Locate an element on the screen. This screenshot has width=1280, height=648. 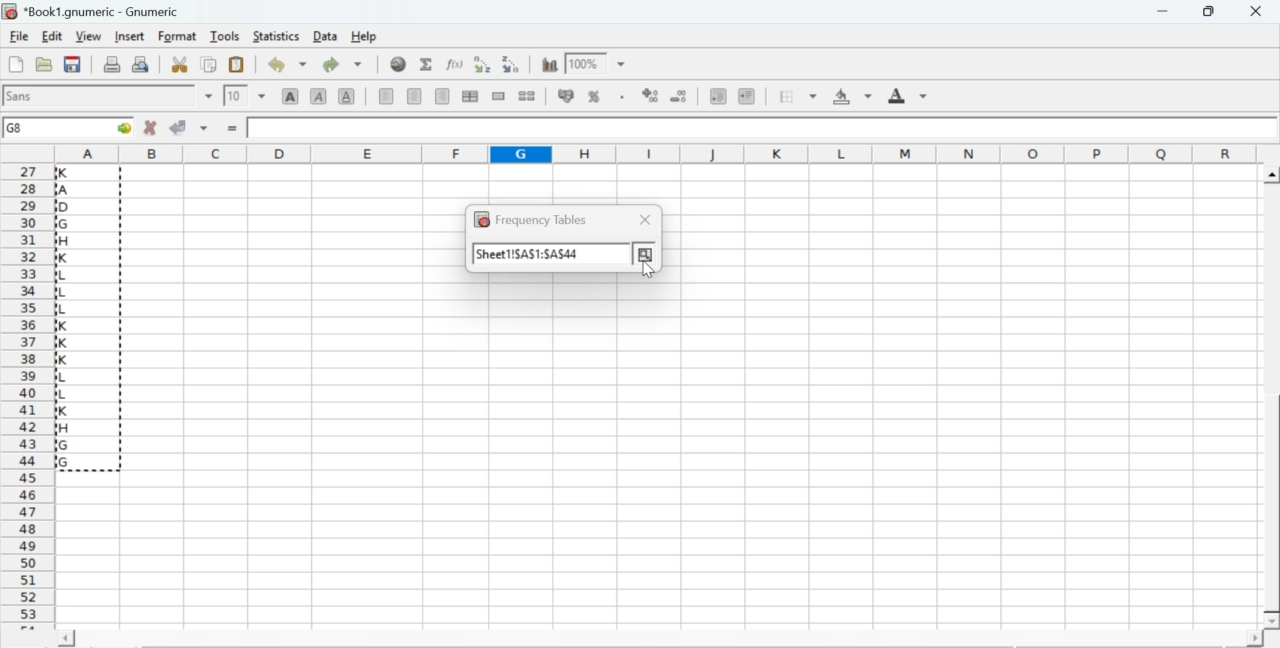
enter formula is located at coordinates (234, 129).